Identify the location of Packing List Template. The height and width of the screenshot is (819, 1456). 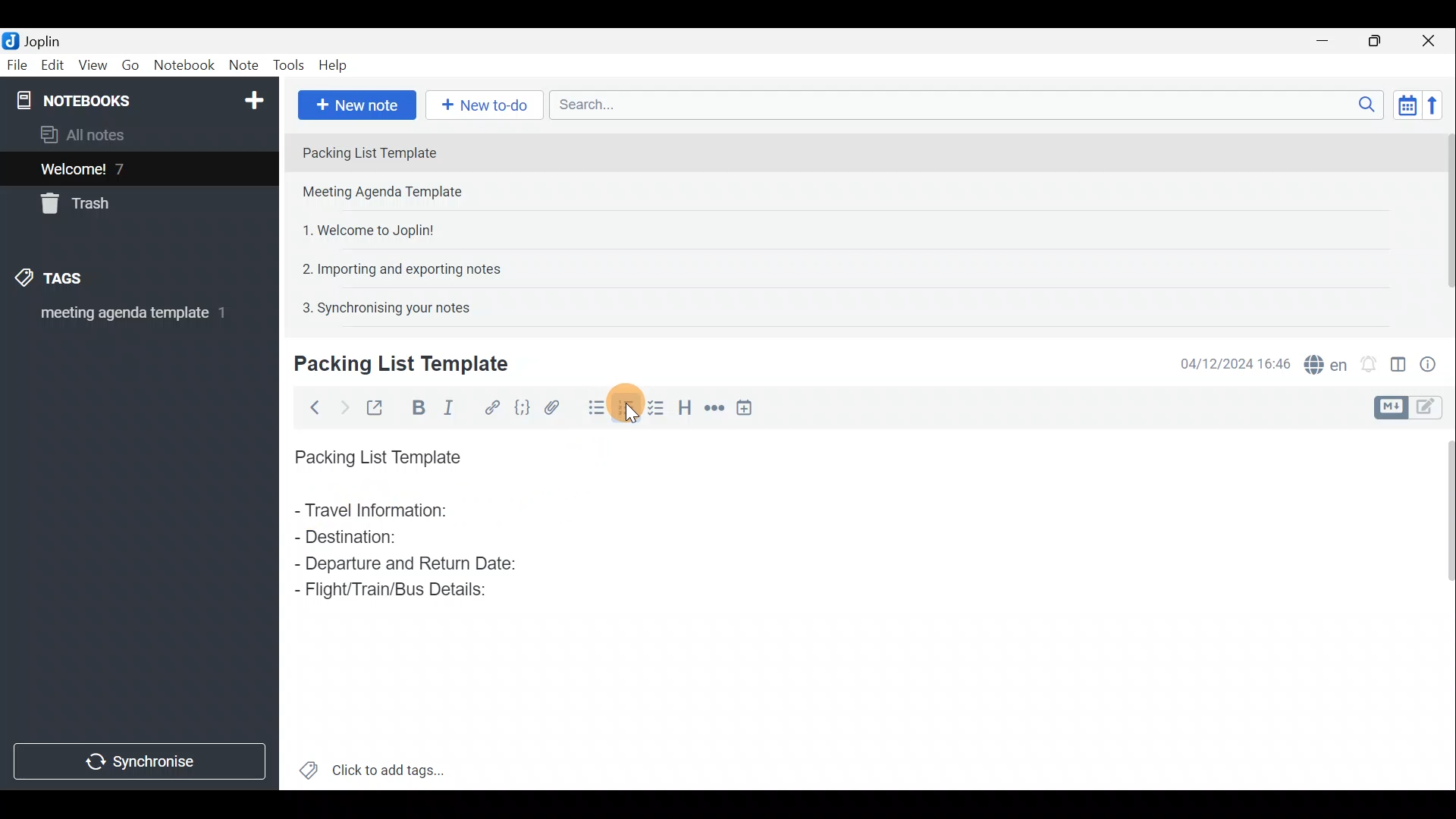
(375, 453).